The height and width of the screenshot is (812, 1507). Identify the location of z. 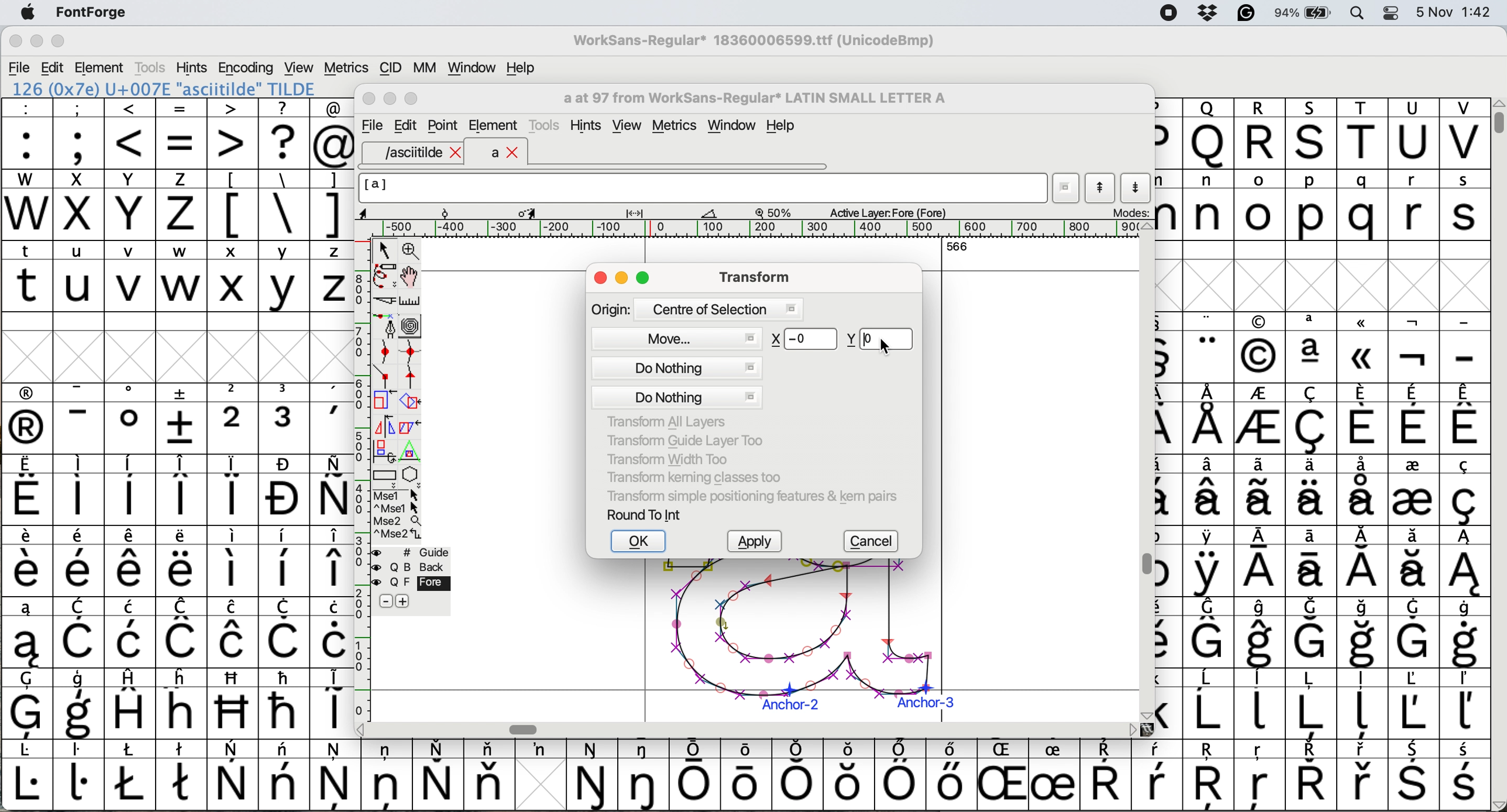
(181, 204).